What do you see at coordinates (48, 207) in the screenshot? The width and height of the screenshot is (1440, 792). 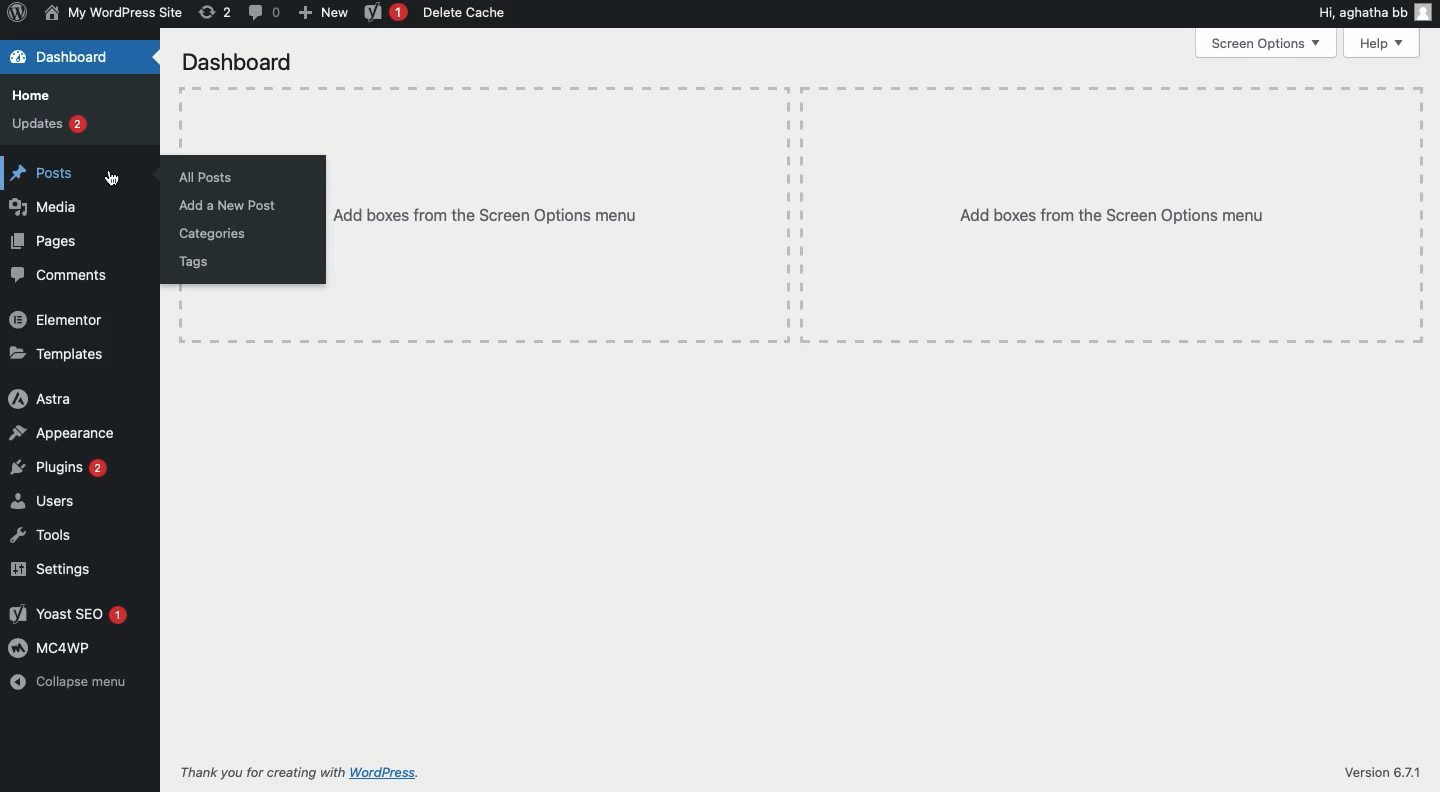 I see `Media` at bounding box center [48, 207].